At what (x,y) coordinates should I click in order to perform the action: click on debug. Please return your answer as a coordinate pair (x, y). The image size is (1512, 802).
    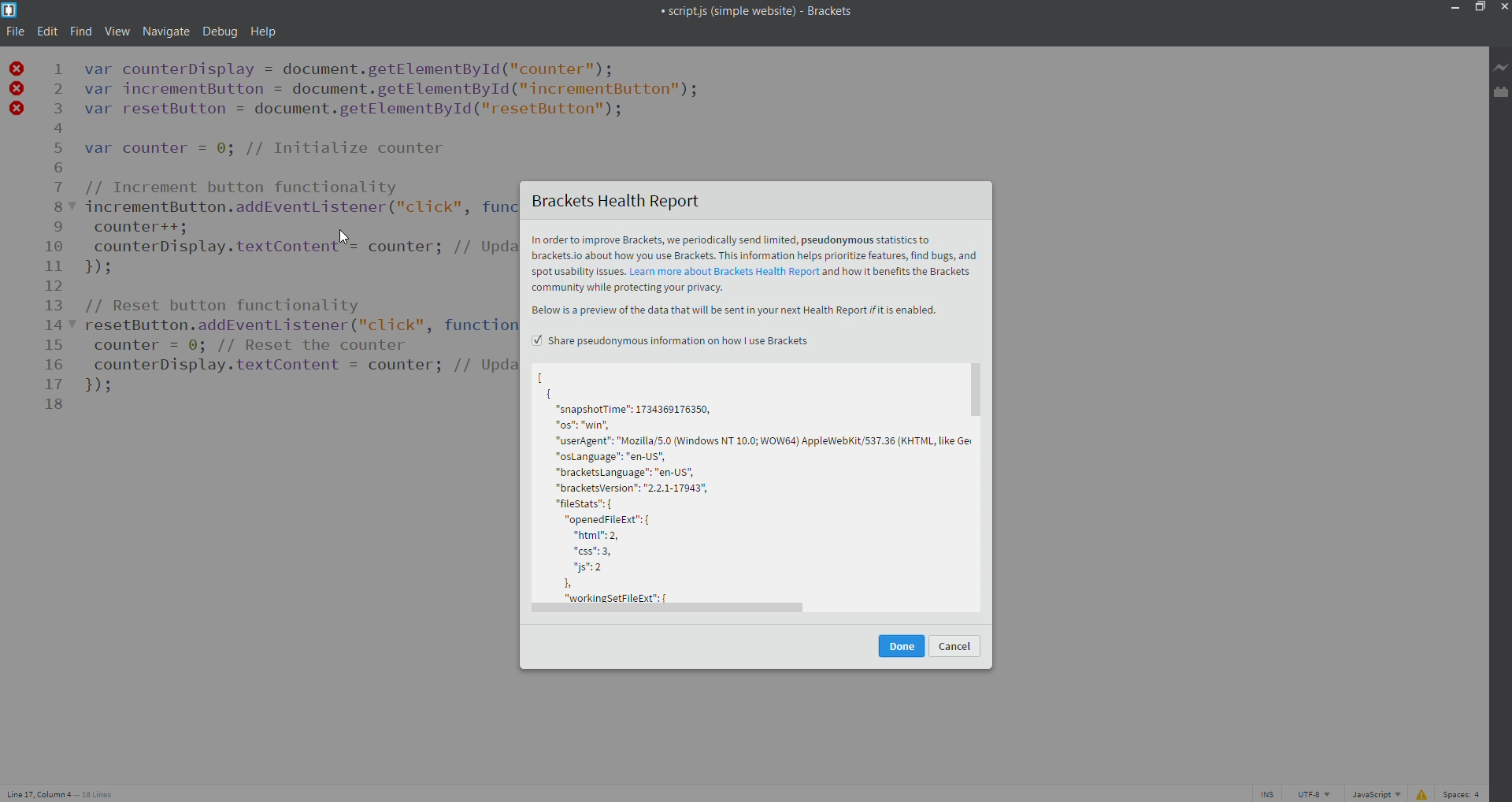
    Looking at the image, I should click on (222, 31).